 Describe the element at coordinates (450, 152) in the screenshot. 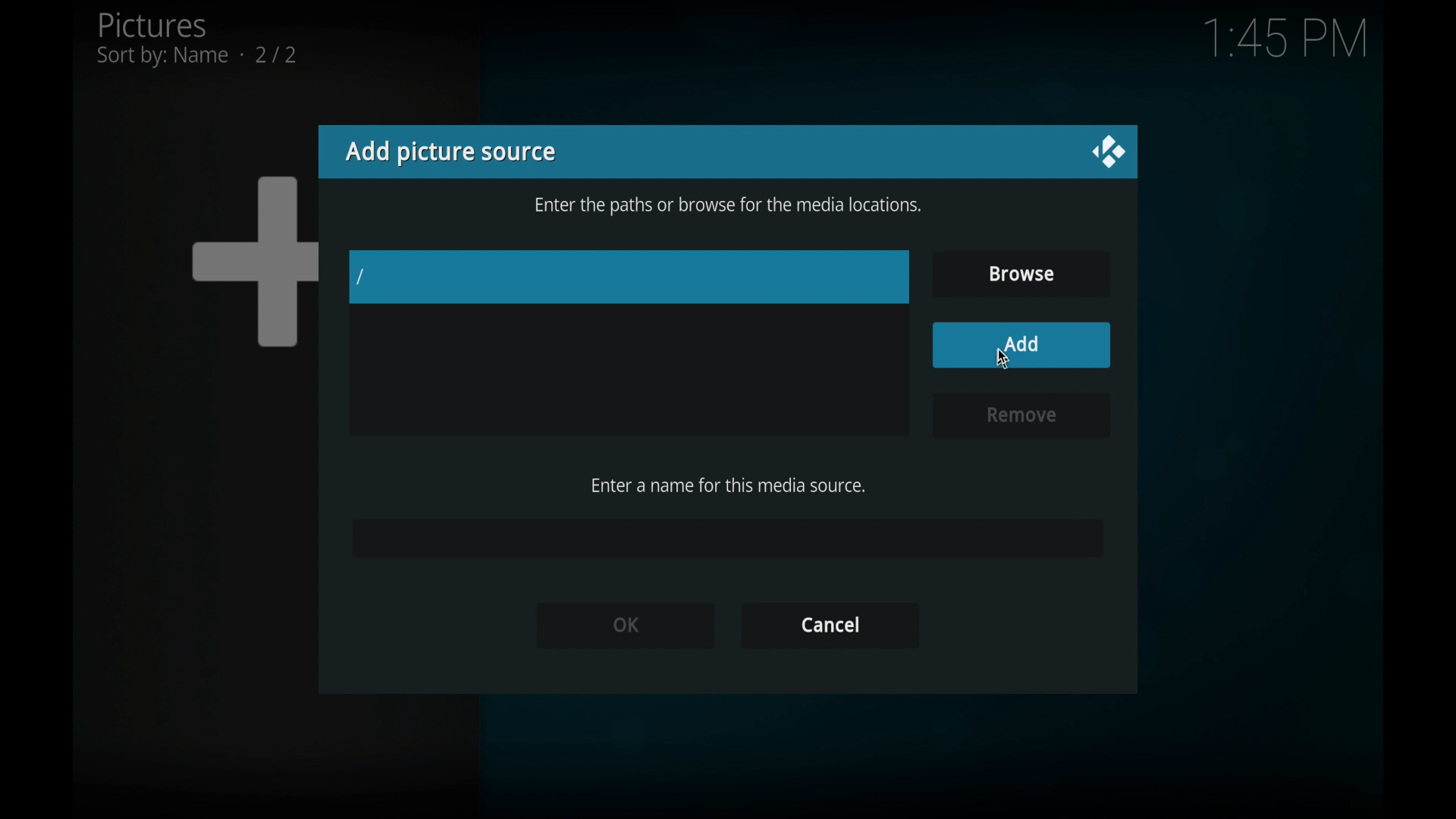

I see `add picture source` at that location.